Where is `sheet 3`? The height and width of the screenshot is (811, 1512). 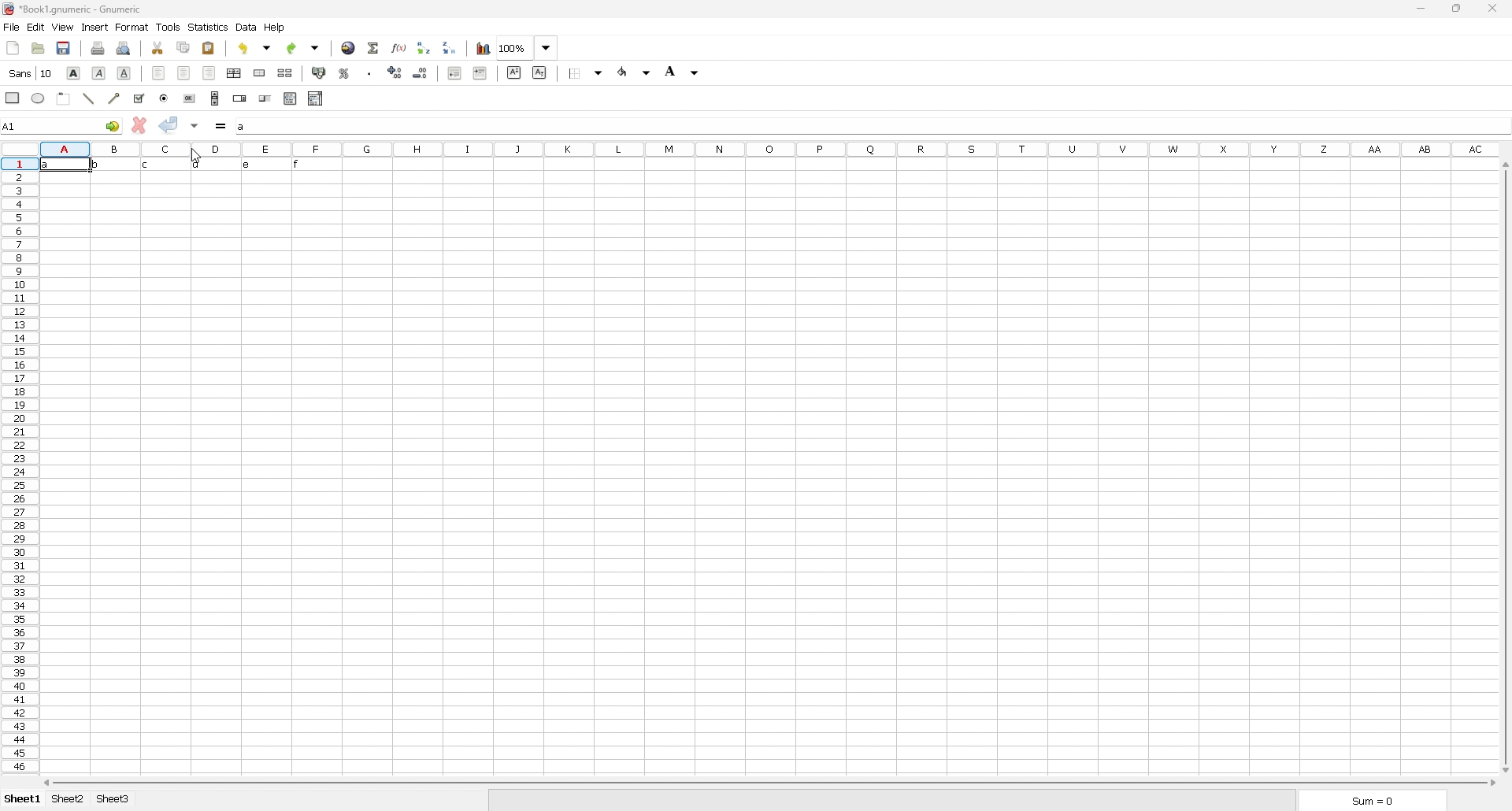 sheet 3 is located at coordinates (113, 799).